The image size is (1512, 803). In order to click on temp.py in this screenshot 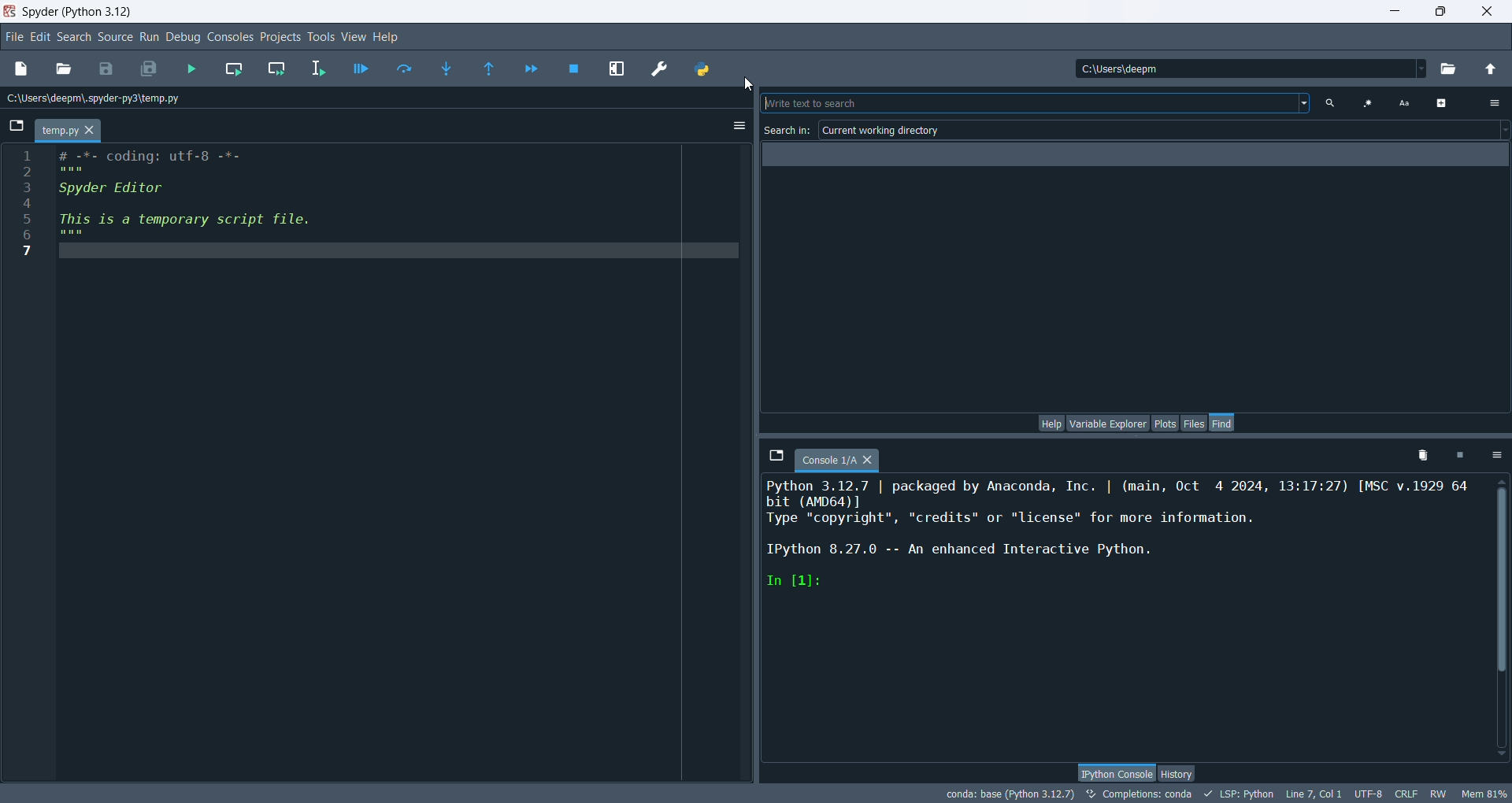, I will do `click(67, 129)`.